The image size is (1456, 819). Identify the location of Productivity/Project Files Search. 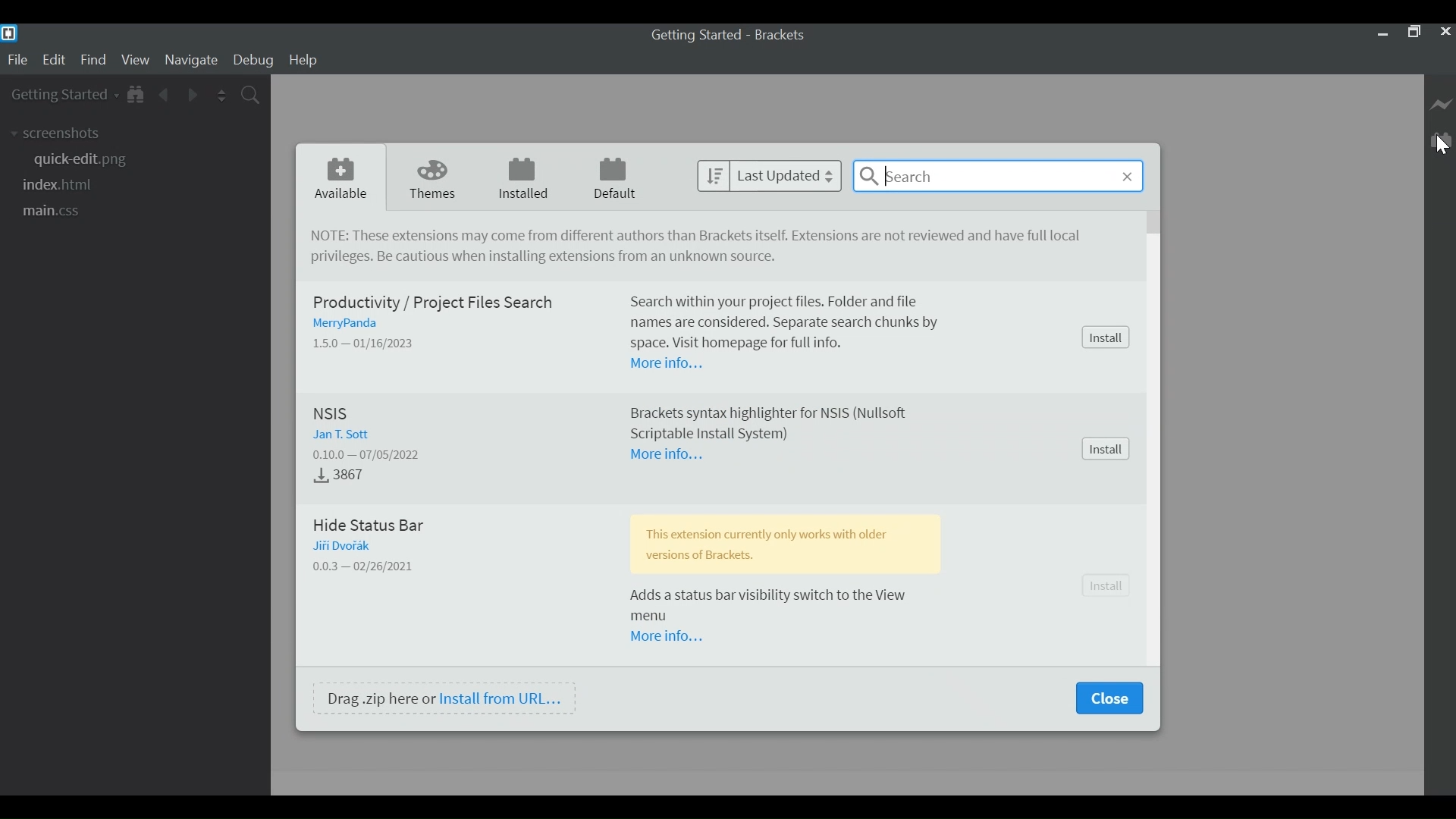
(438, 303).